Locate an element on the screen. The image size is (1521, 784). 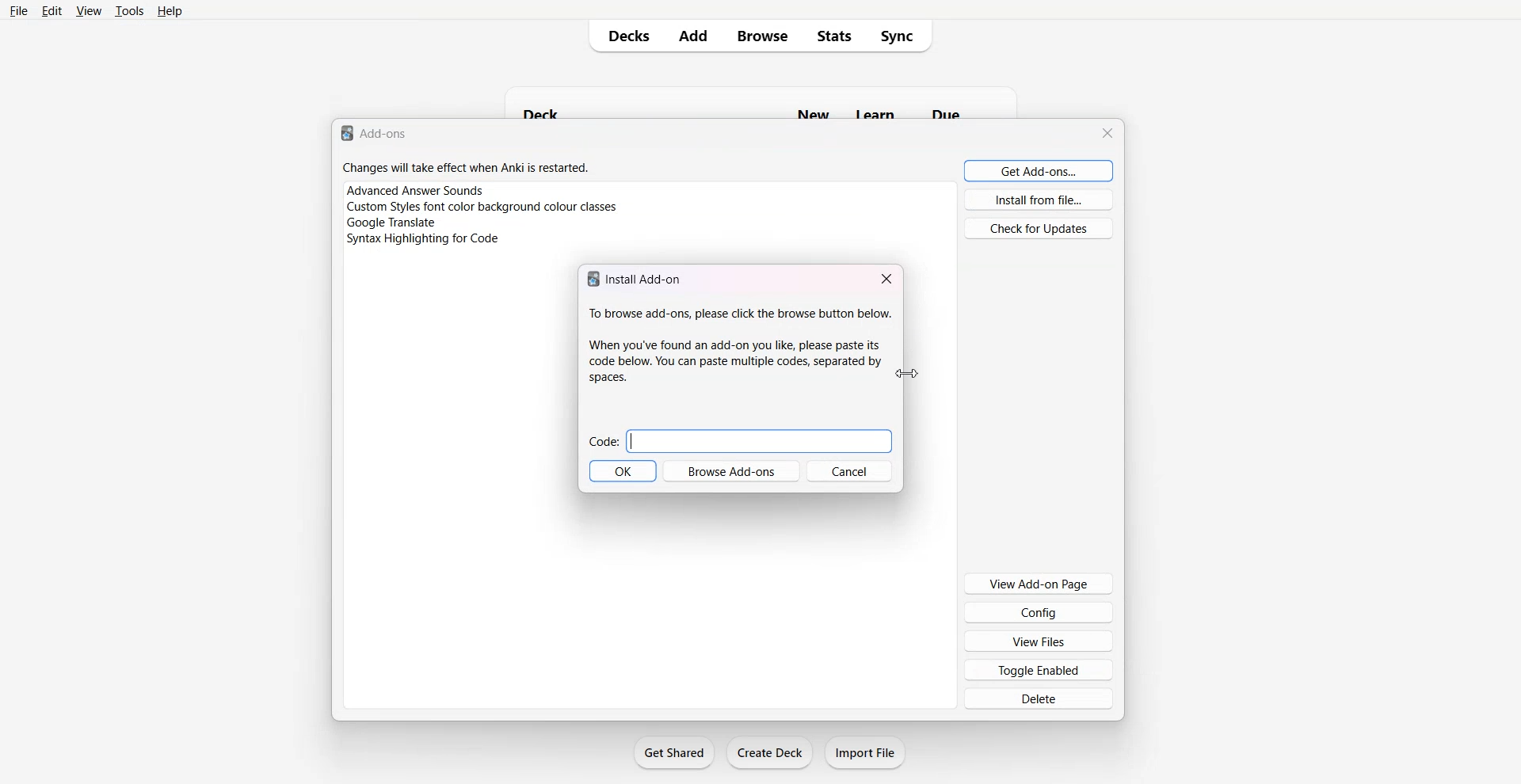
learn is located at coordinates (876, 113).